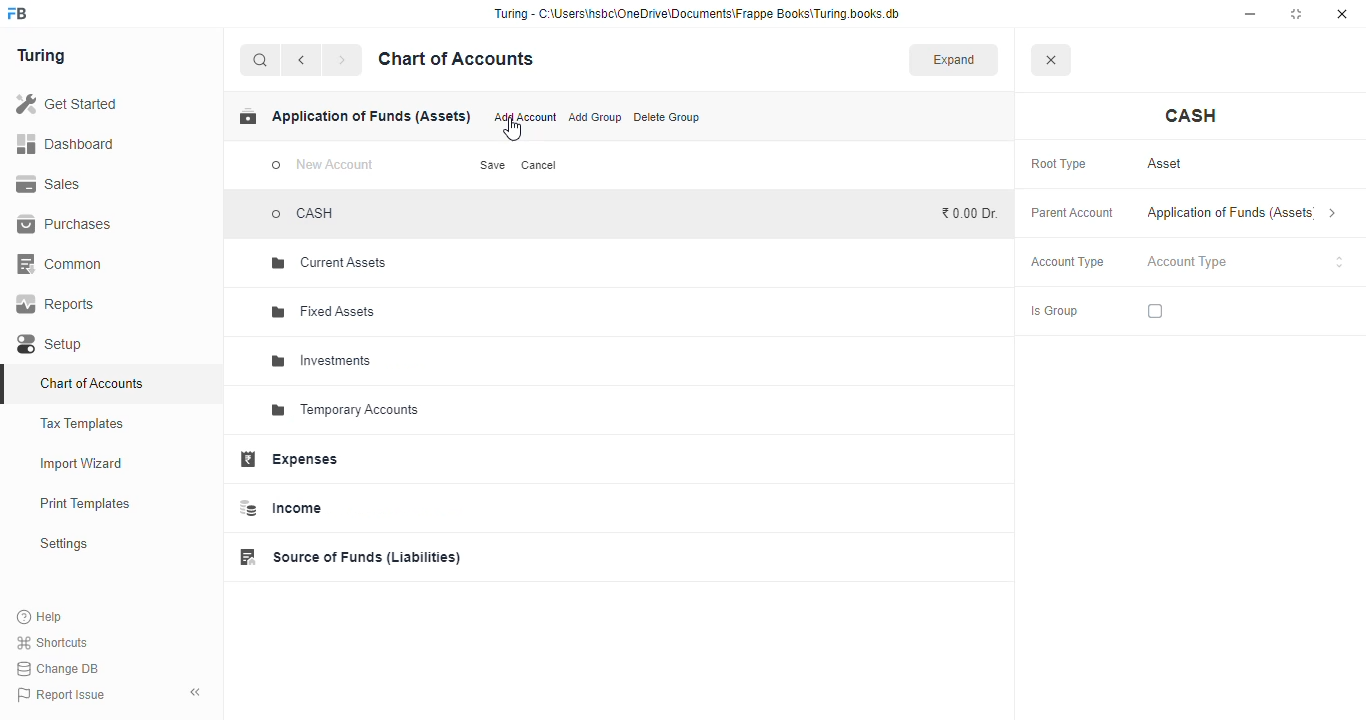 The width and height of the screenshot is (1366, 720). Describe the element at coordinates (56, 304) in the screenshot. I see `reports` at that location.